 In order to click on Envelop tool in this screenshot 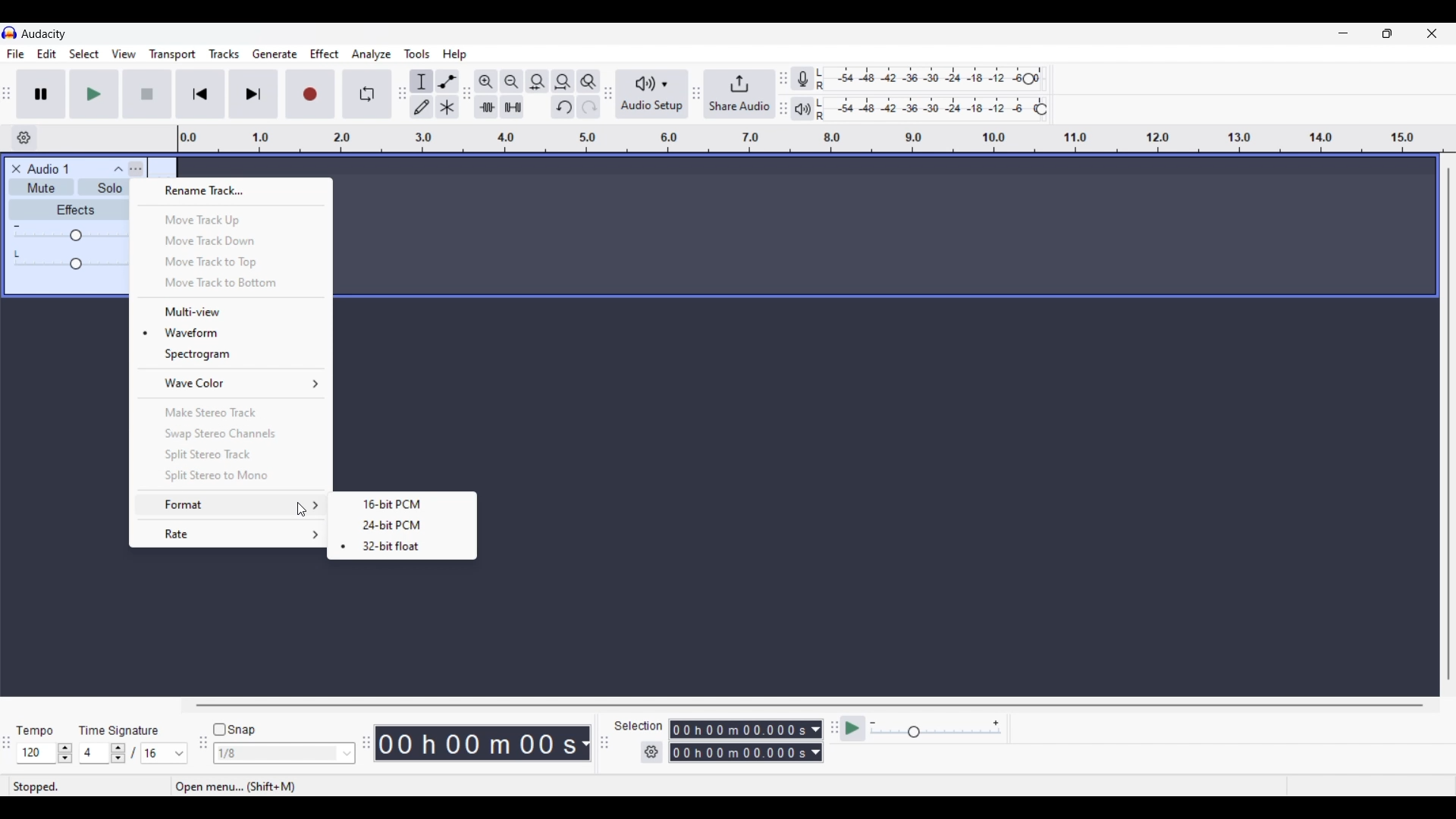, I will do `click(447, 81)`.